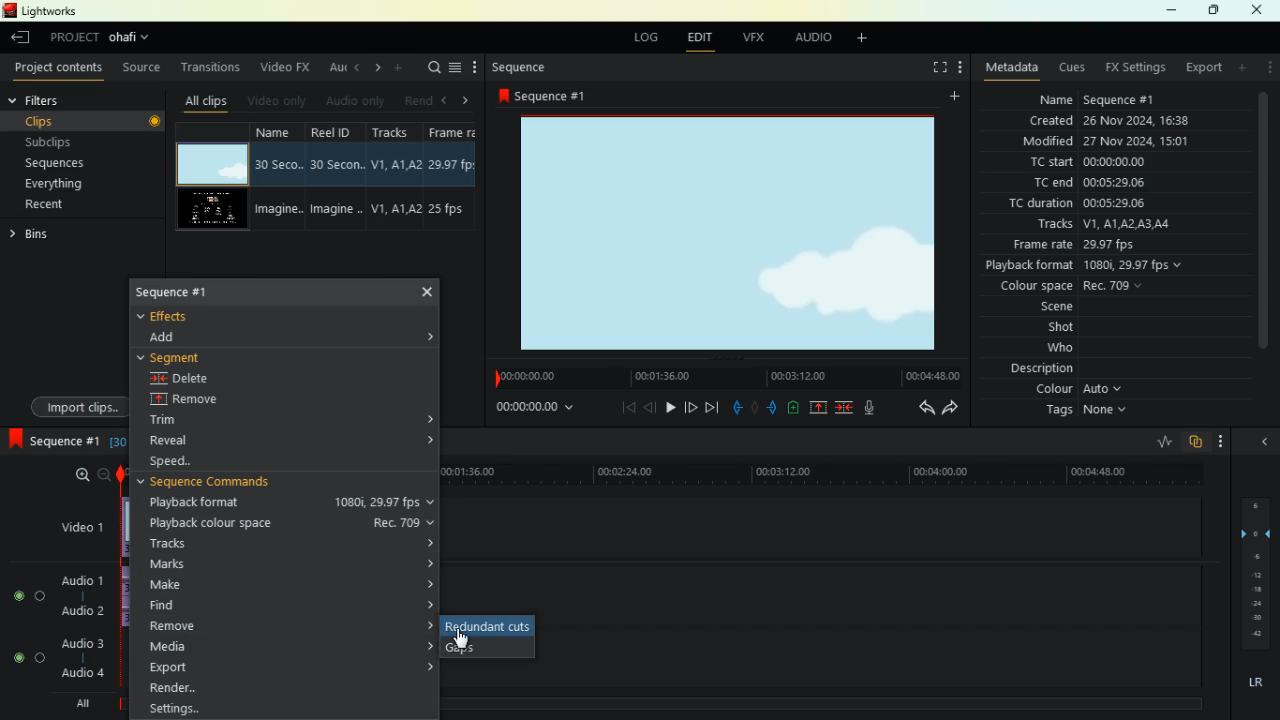 The height and width of the screenshot is (720, 1280). I want to click on Cross, so click(430, 290).